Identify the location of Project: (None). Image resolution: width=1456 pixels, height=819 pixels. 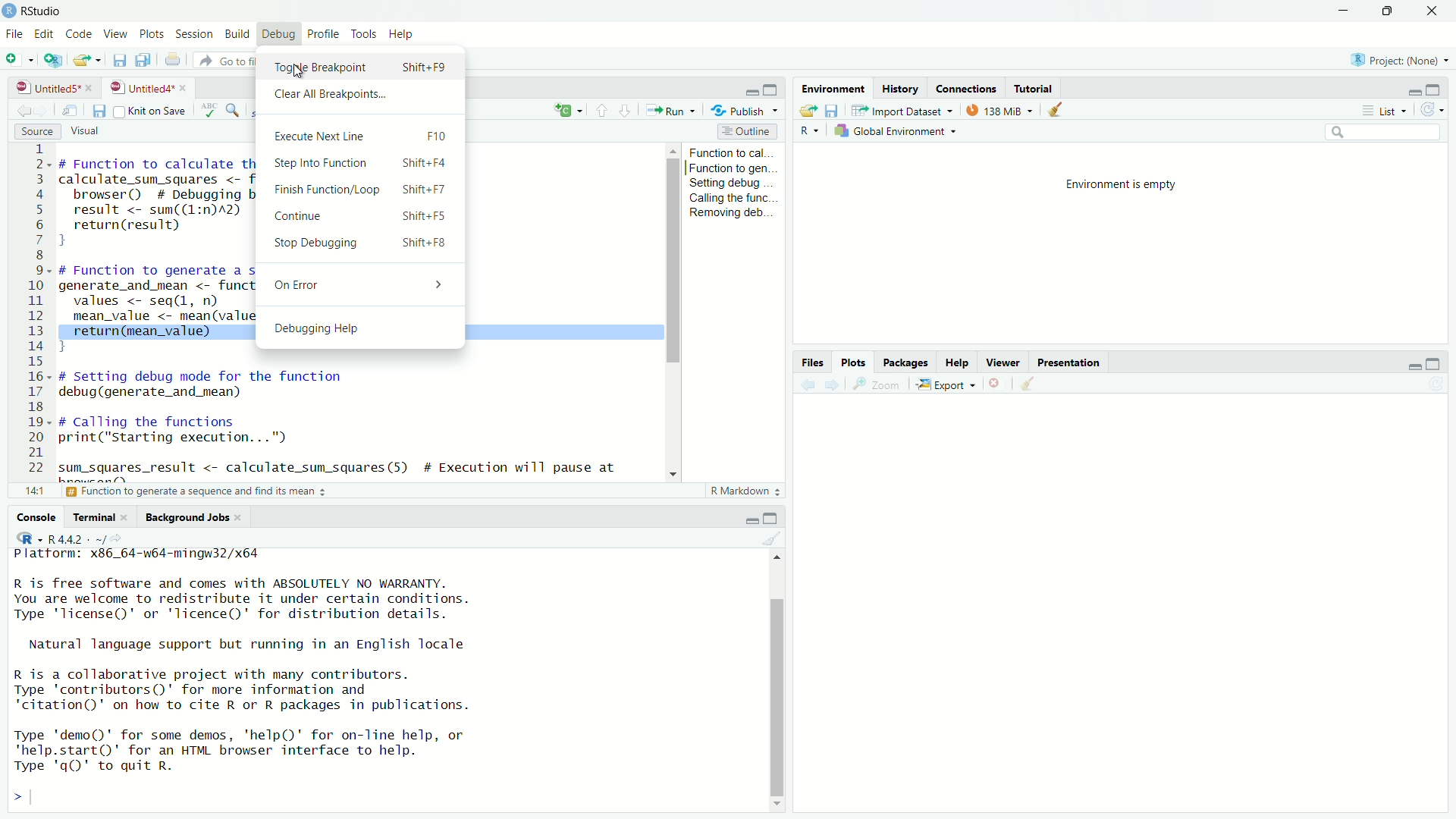
(1398, 60).